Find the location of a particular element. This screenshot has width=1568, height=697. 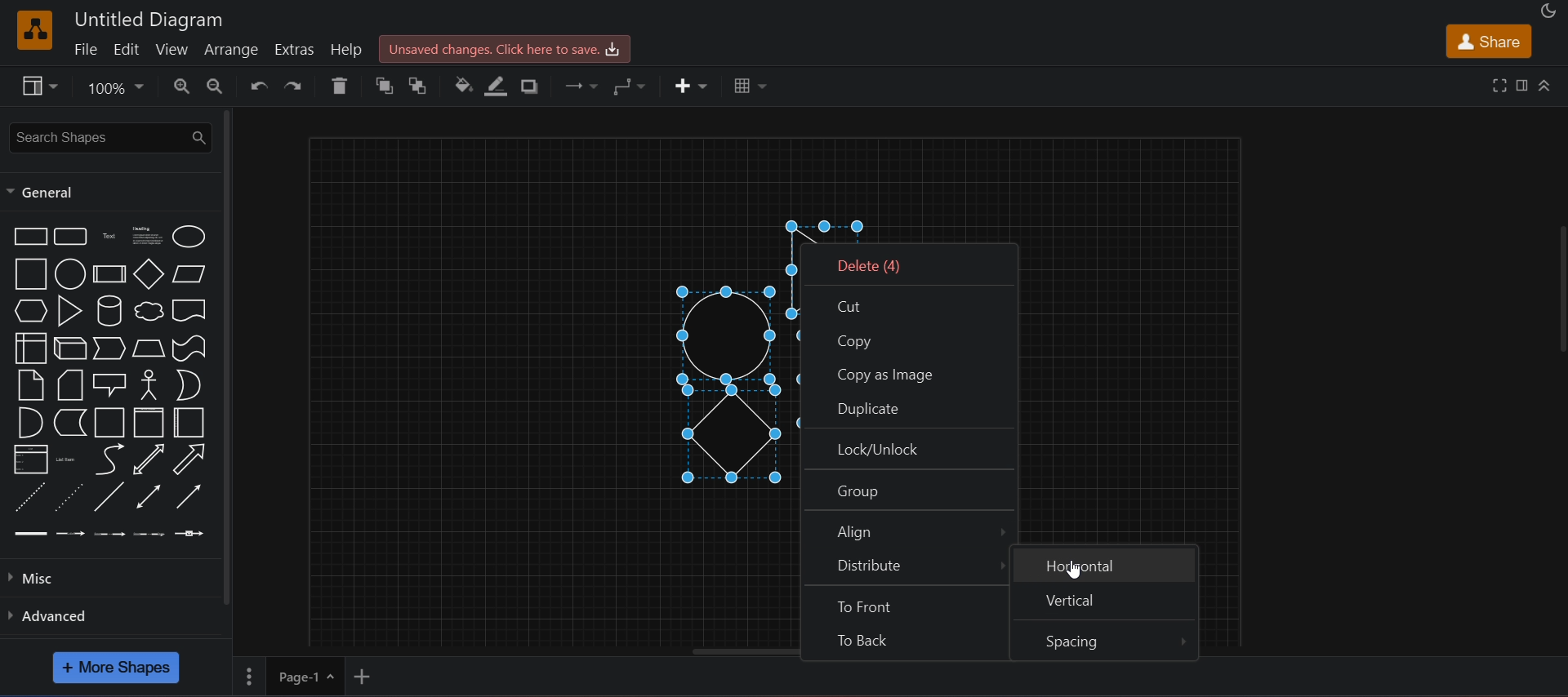

arrange is located at coordinates (234, 49).